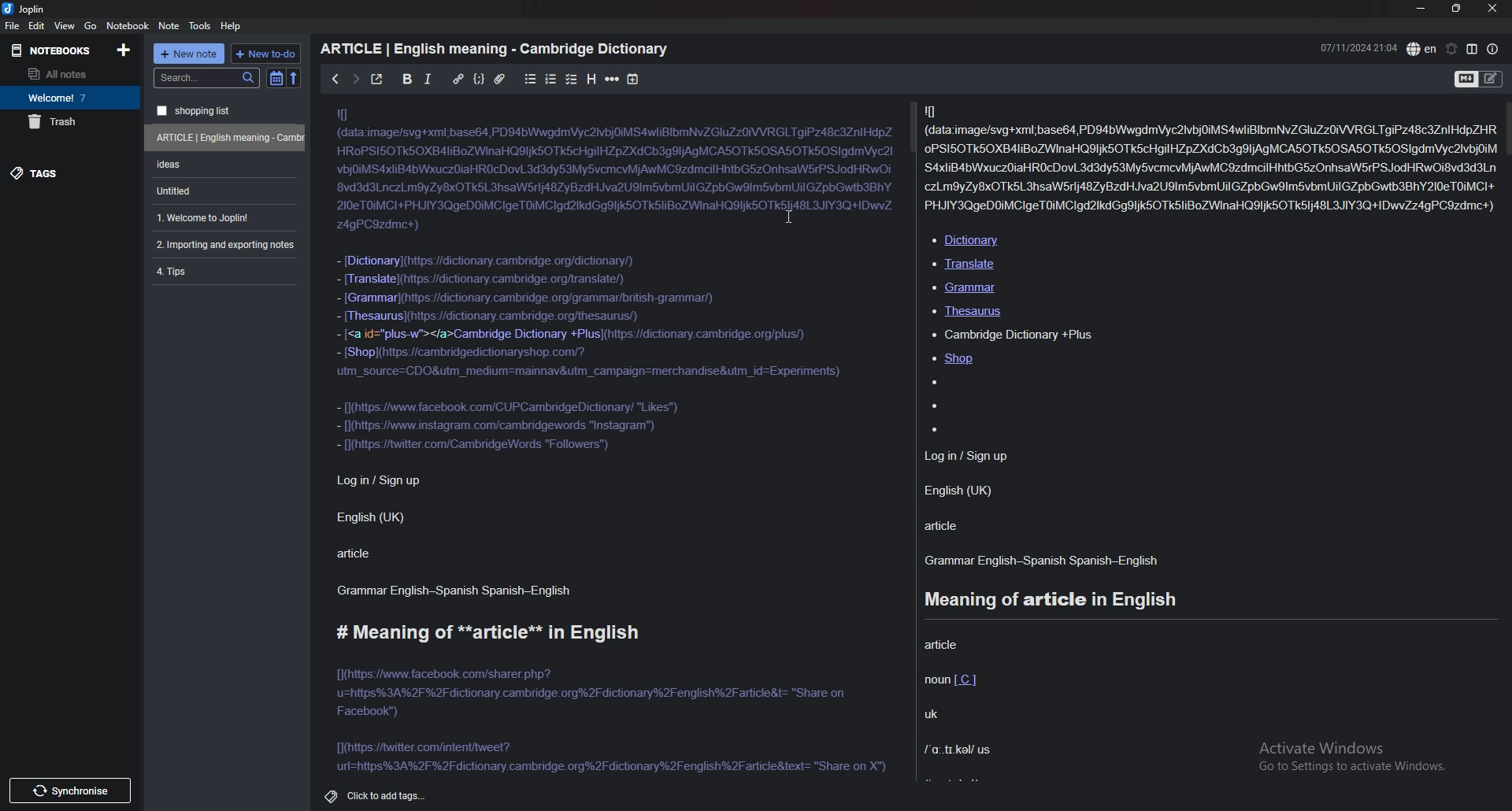 The image size is (1512, 811). Describe the element at coordinates (428, 79) in the screenshot. I see `italic` at that location.